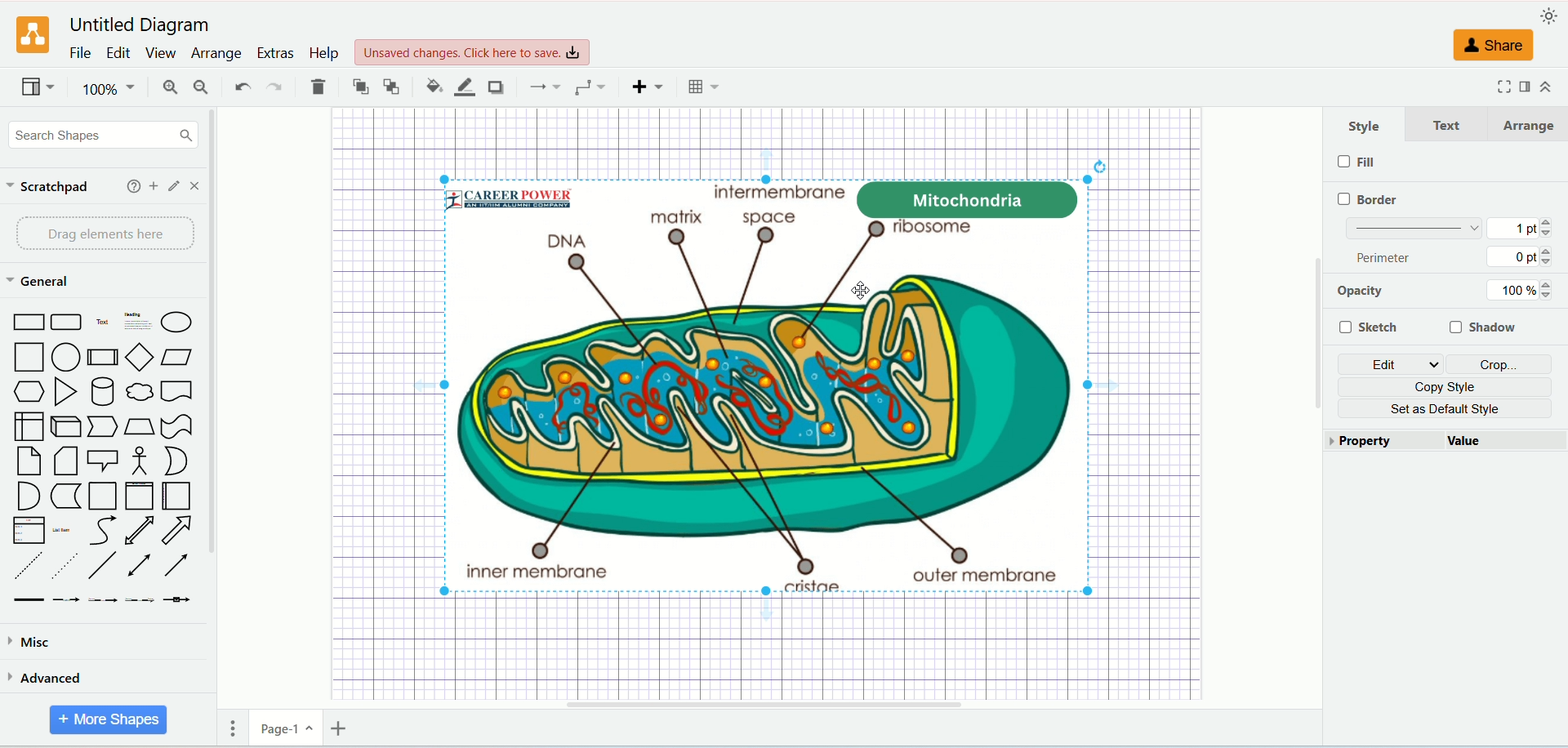 This screenshot has width=1568, height=748. I want to click on Item List, so click(30, 530).